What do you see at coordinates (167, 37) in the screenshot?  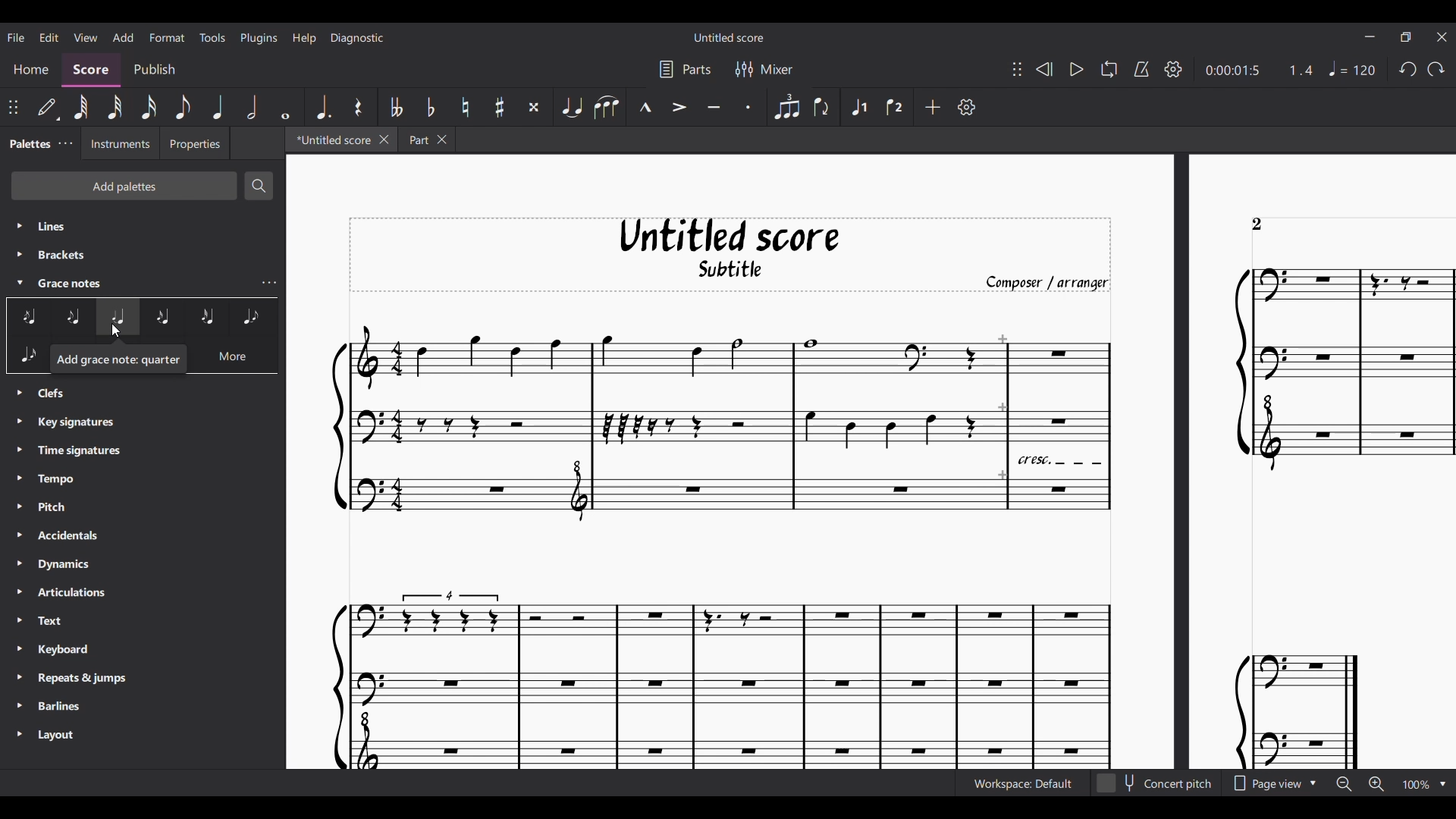 I see `Format menu` at bounding box center [167, 37].